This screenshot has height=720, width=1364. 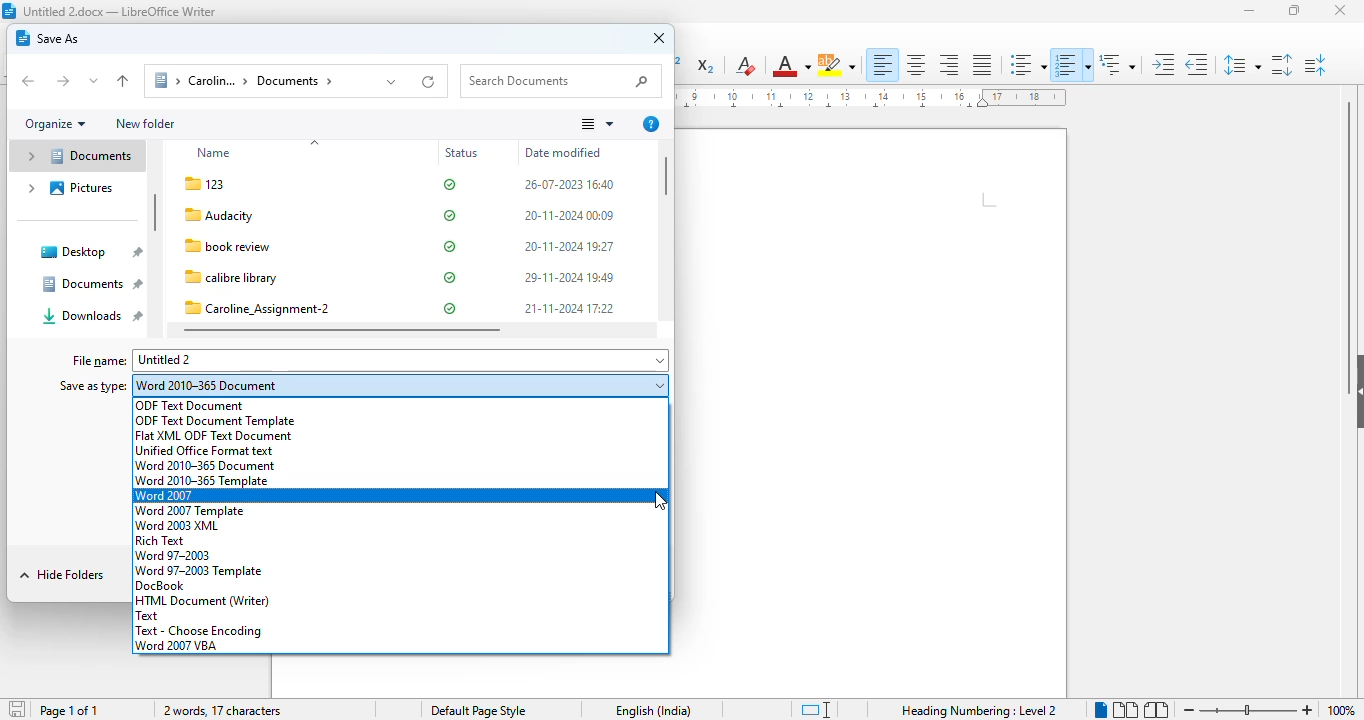 I want to click on file name, so click(x=260, y=247).